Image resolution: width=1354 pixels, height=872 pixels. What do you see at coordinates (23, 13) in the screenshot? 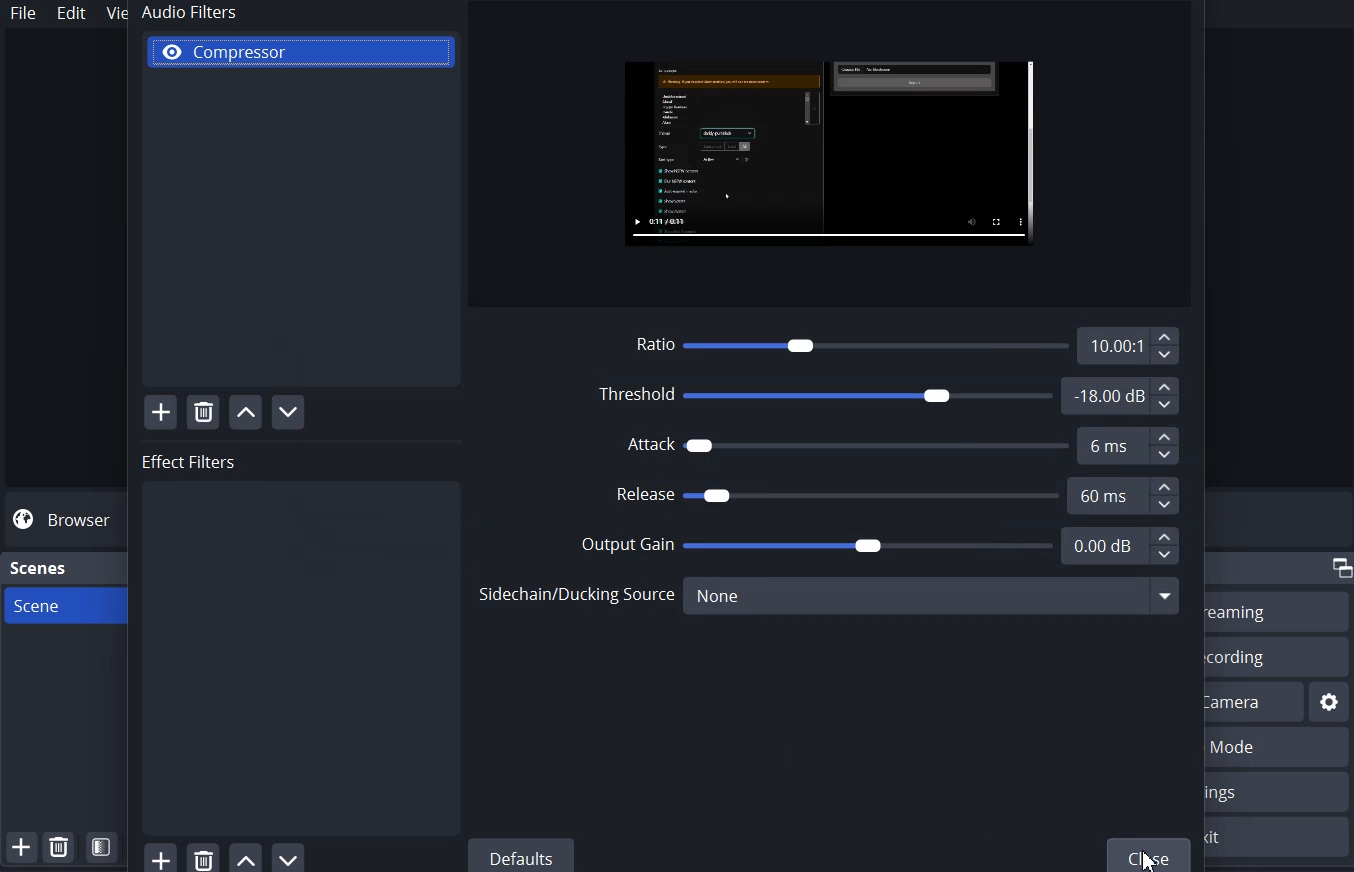
I see `File` at bounding box center [23, 13].